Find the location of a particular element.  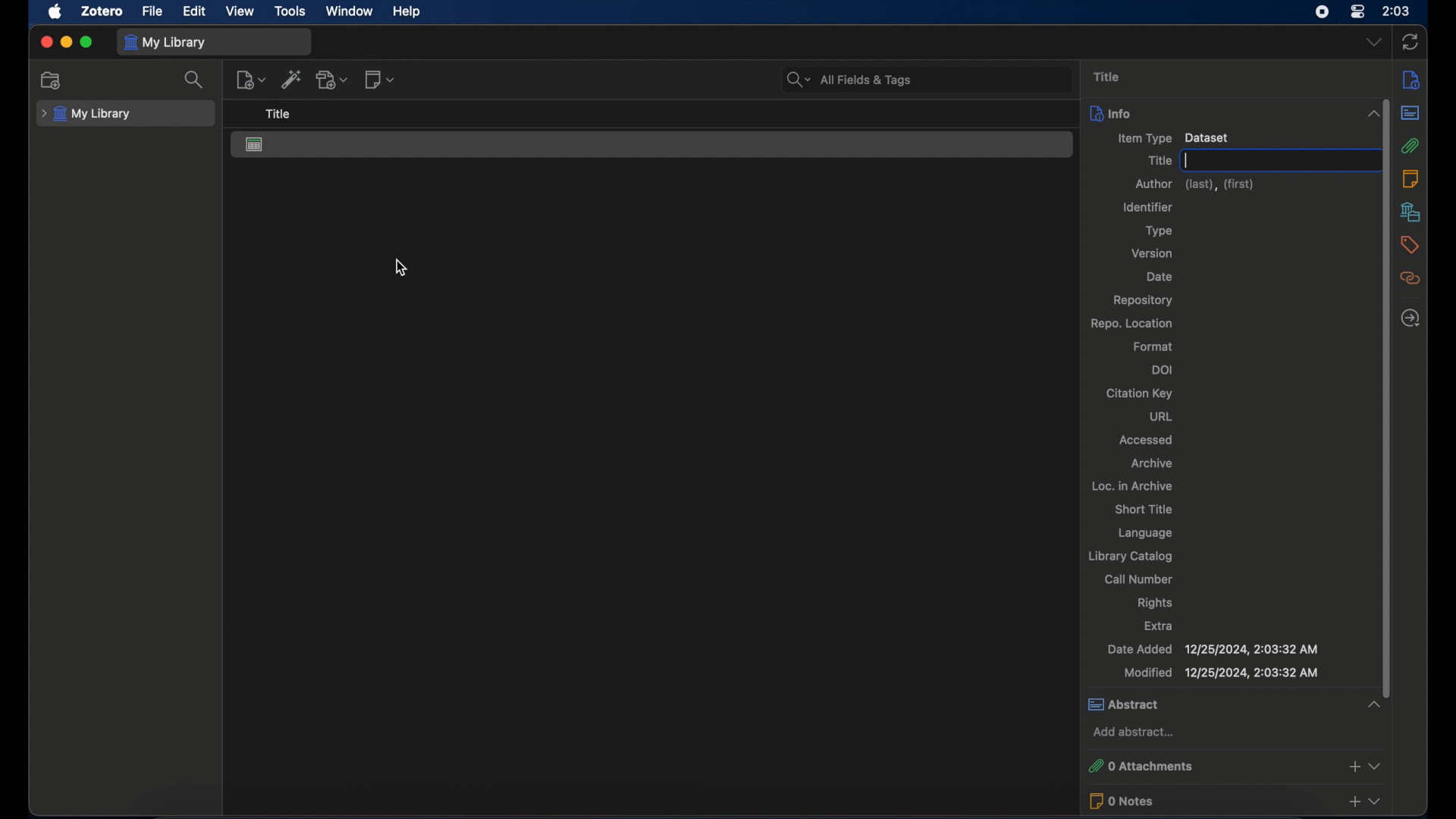

title is located at coordinates (277, 114).